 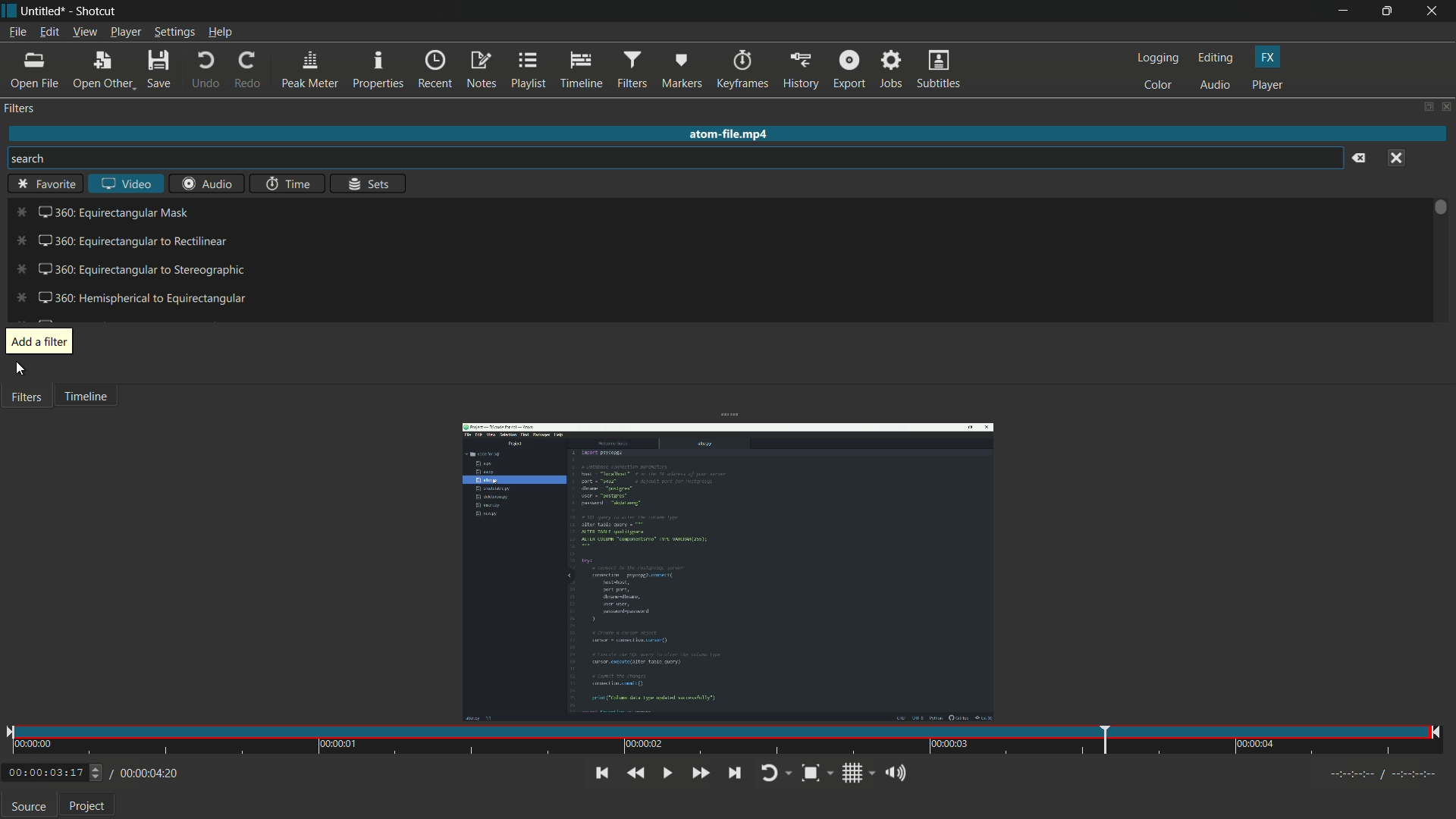 What do you see at coordinates (1217, 58) in the screenshot?
I see `editing` at bounding box center [1217, 58].